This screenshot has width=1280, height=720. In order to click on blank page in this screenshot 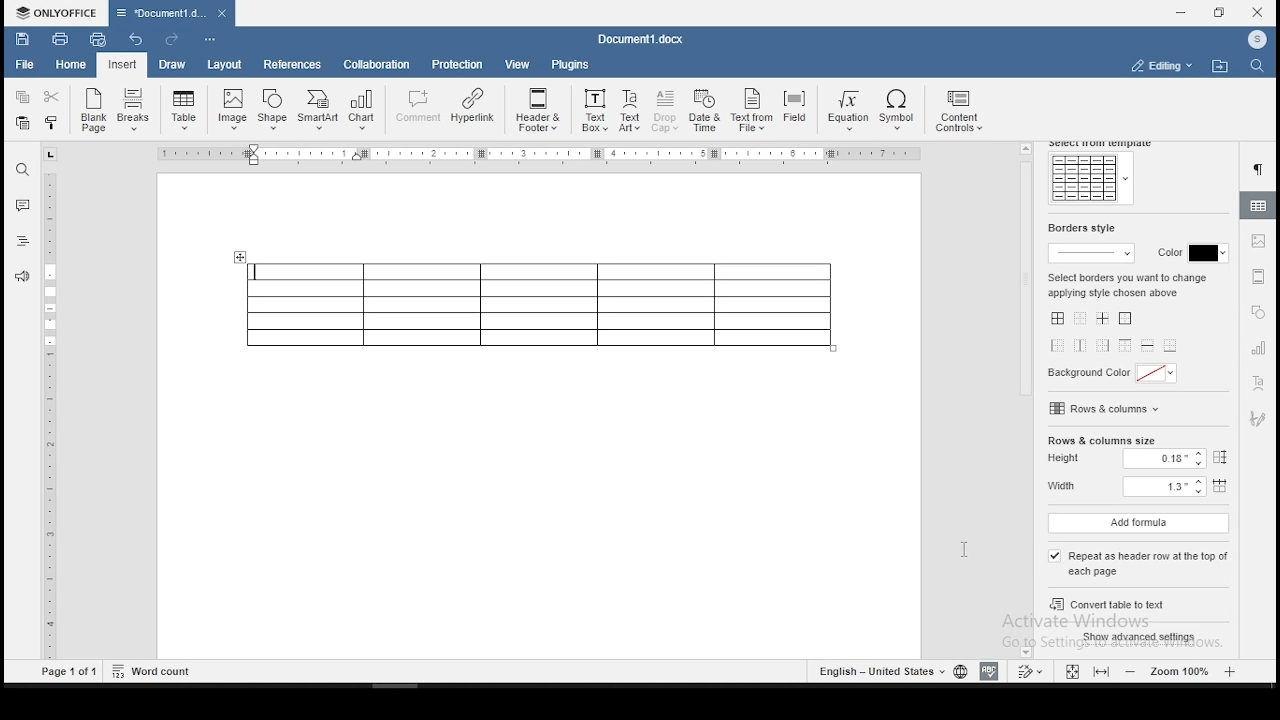, I will do `click(91, 112)`.